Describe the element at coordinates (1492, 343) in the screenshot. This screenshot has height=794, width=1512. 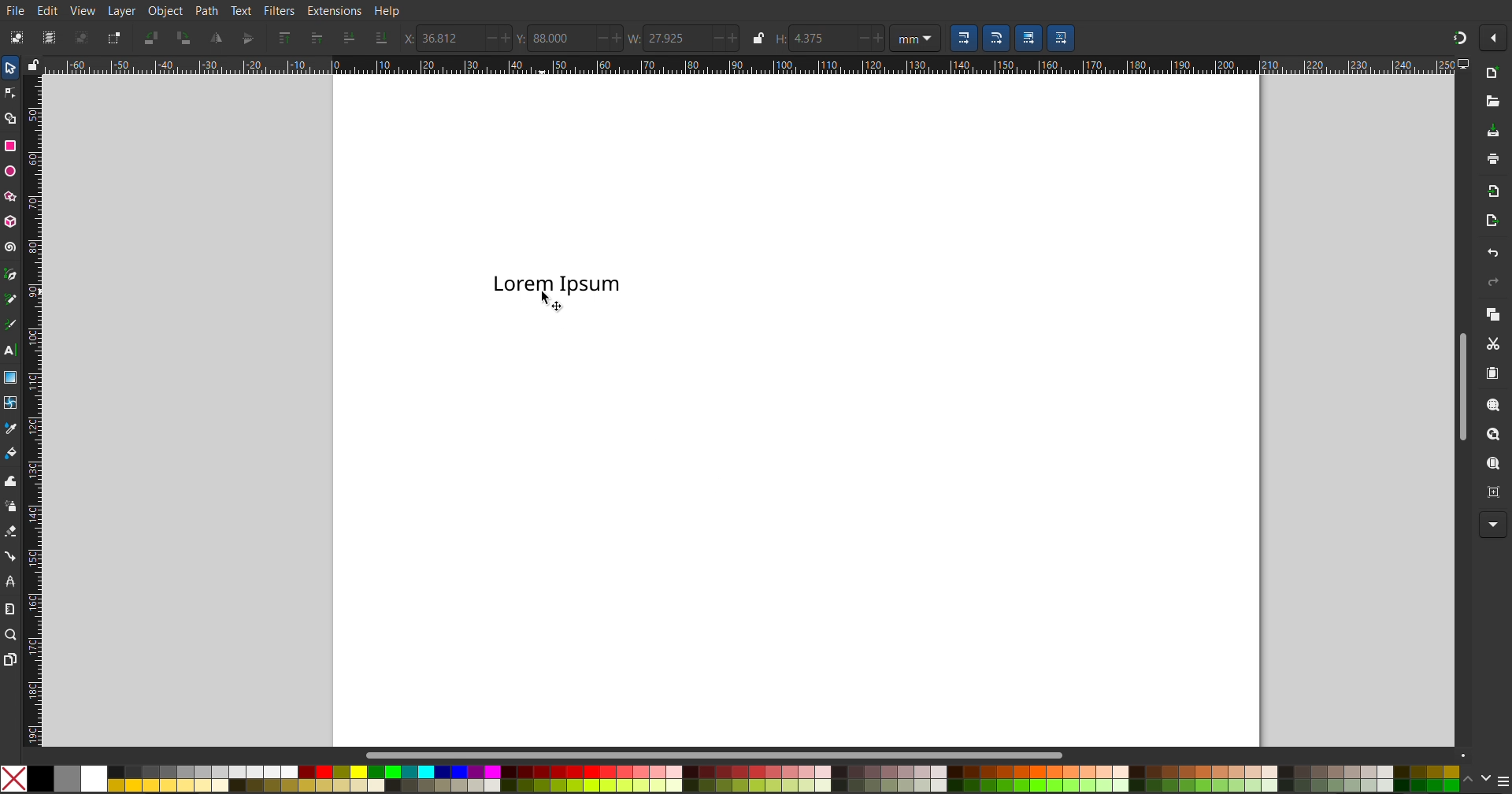
I see `Cut` at that location.